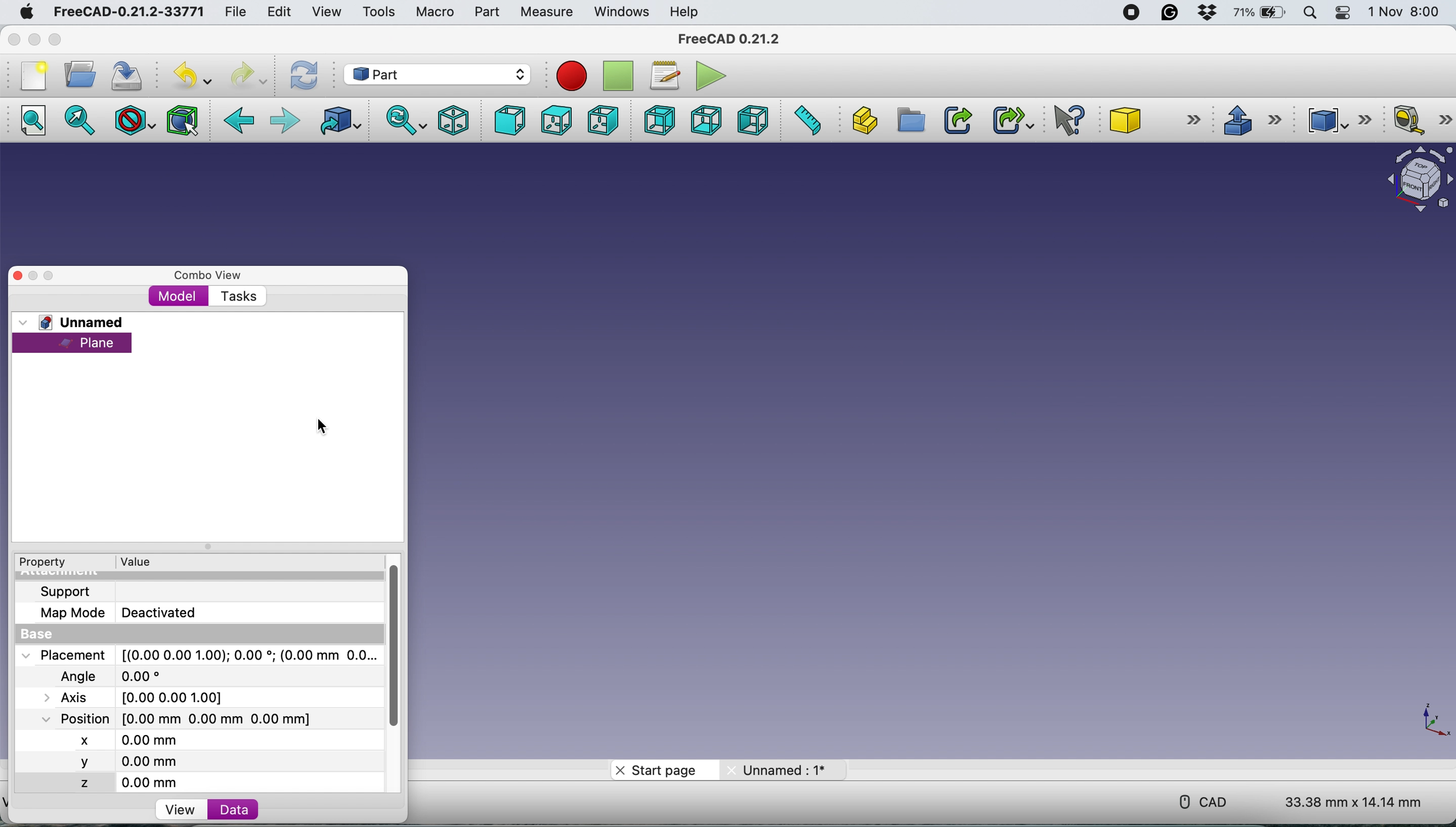  I want to click on edit, so click(281, 13).